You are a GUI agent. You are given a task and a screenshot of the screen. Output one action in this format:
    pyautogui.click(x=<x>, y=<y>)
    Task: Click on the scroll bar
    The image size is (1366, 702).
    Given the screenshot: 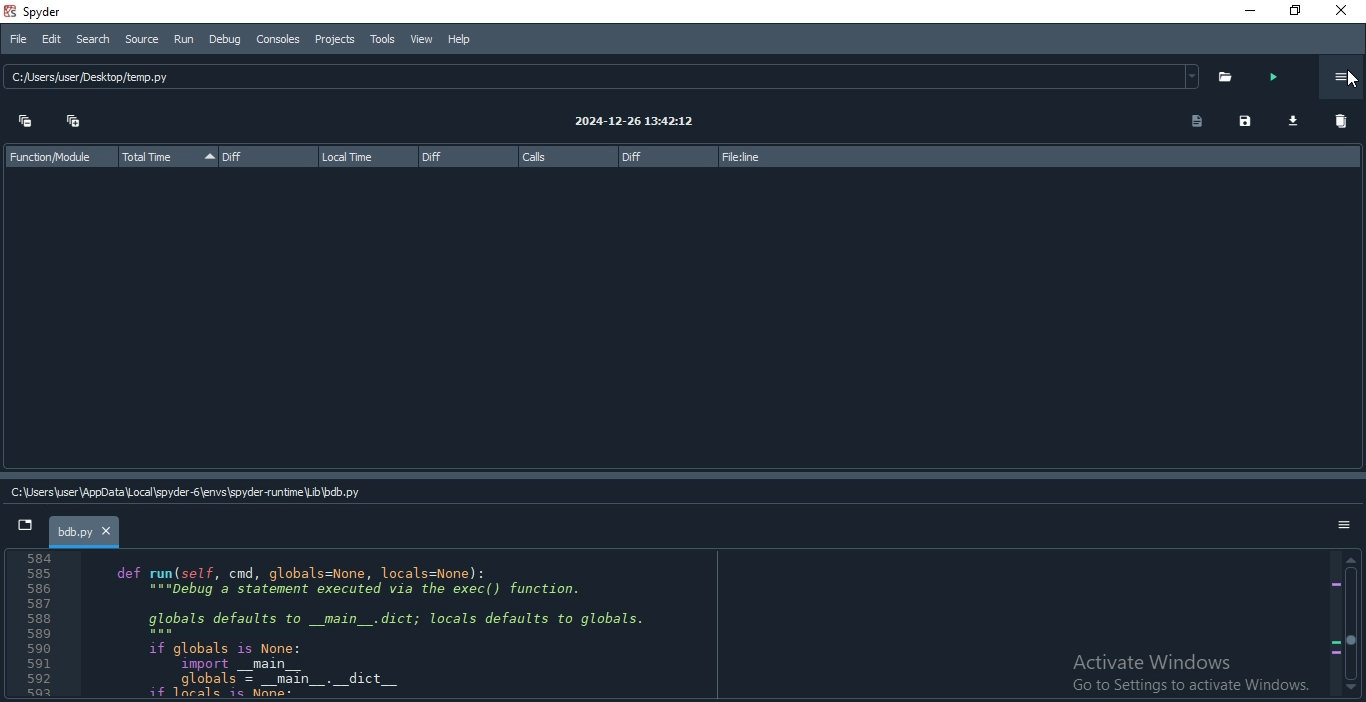 What is the action you would take?
    pyautogui.click(x=1351, y=626)
    